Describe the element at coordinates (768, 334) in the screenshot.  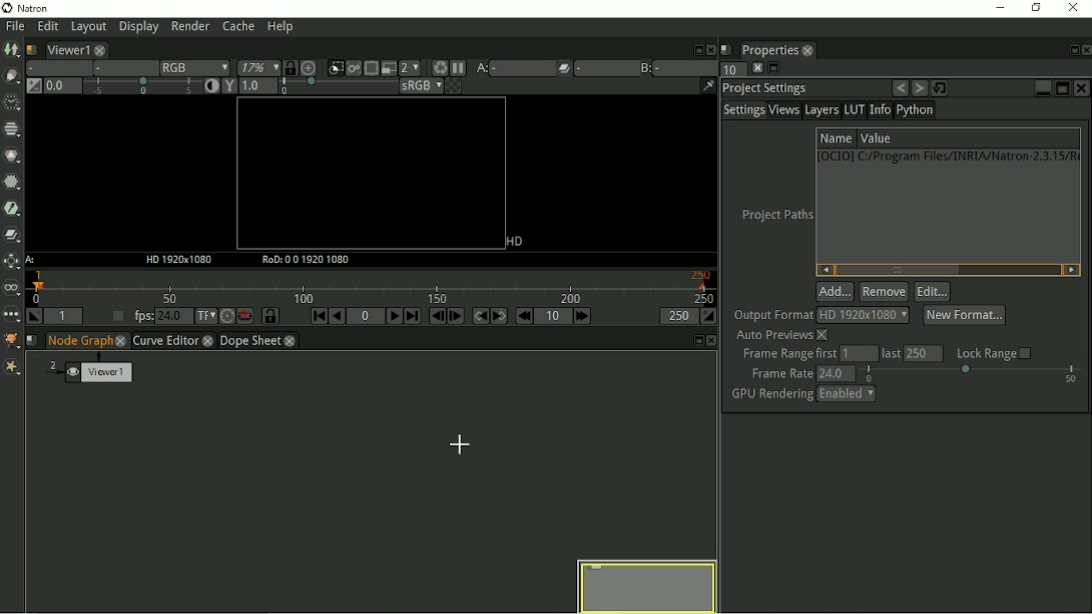
I see `Auto previews` at that location.